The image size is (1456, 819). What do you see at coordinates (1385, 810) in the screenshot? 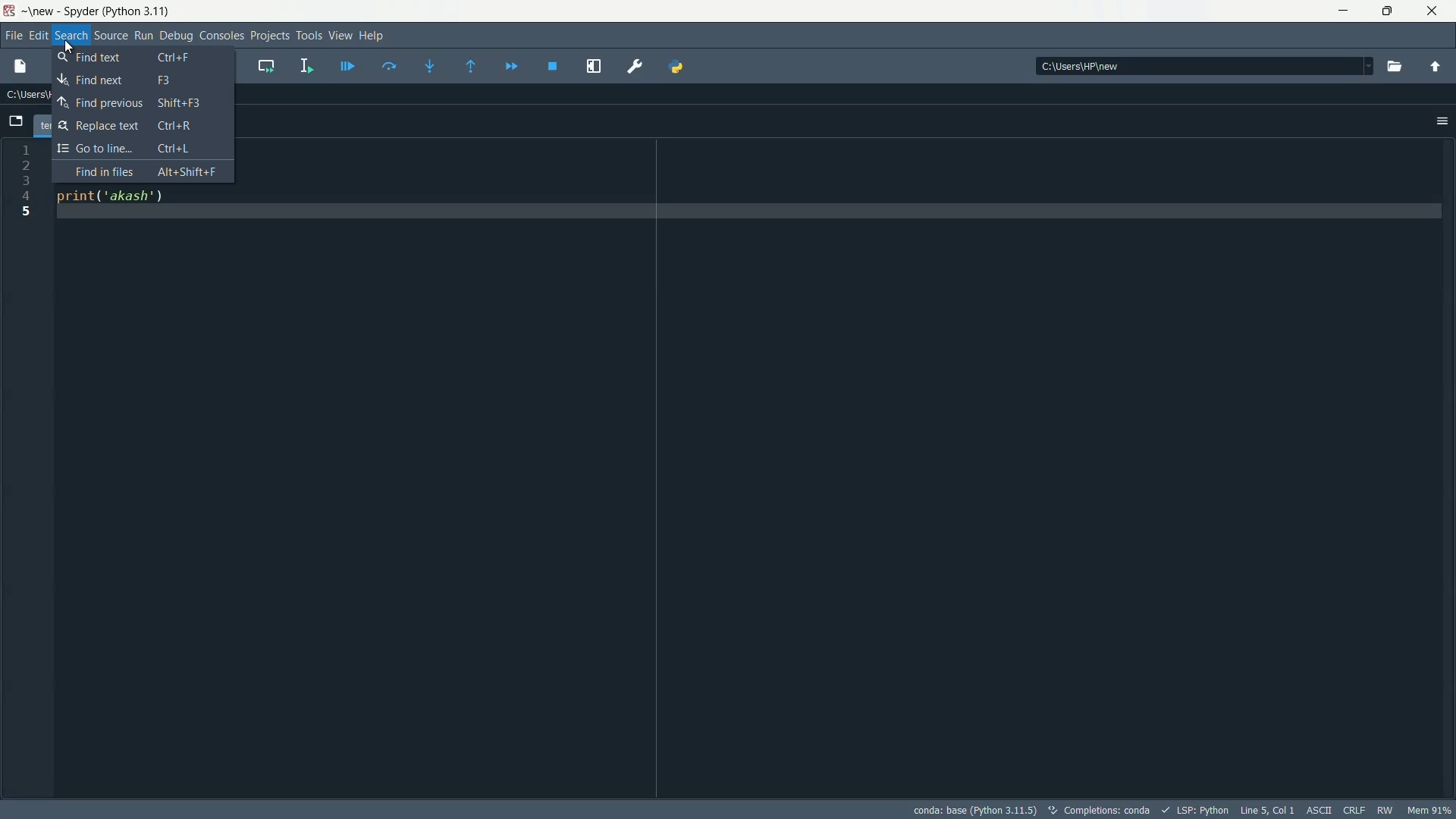
I see `rw` at bounding box center [1385, 810].